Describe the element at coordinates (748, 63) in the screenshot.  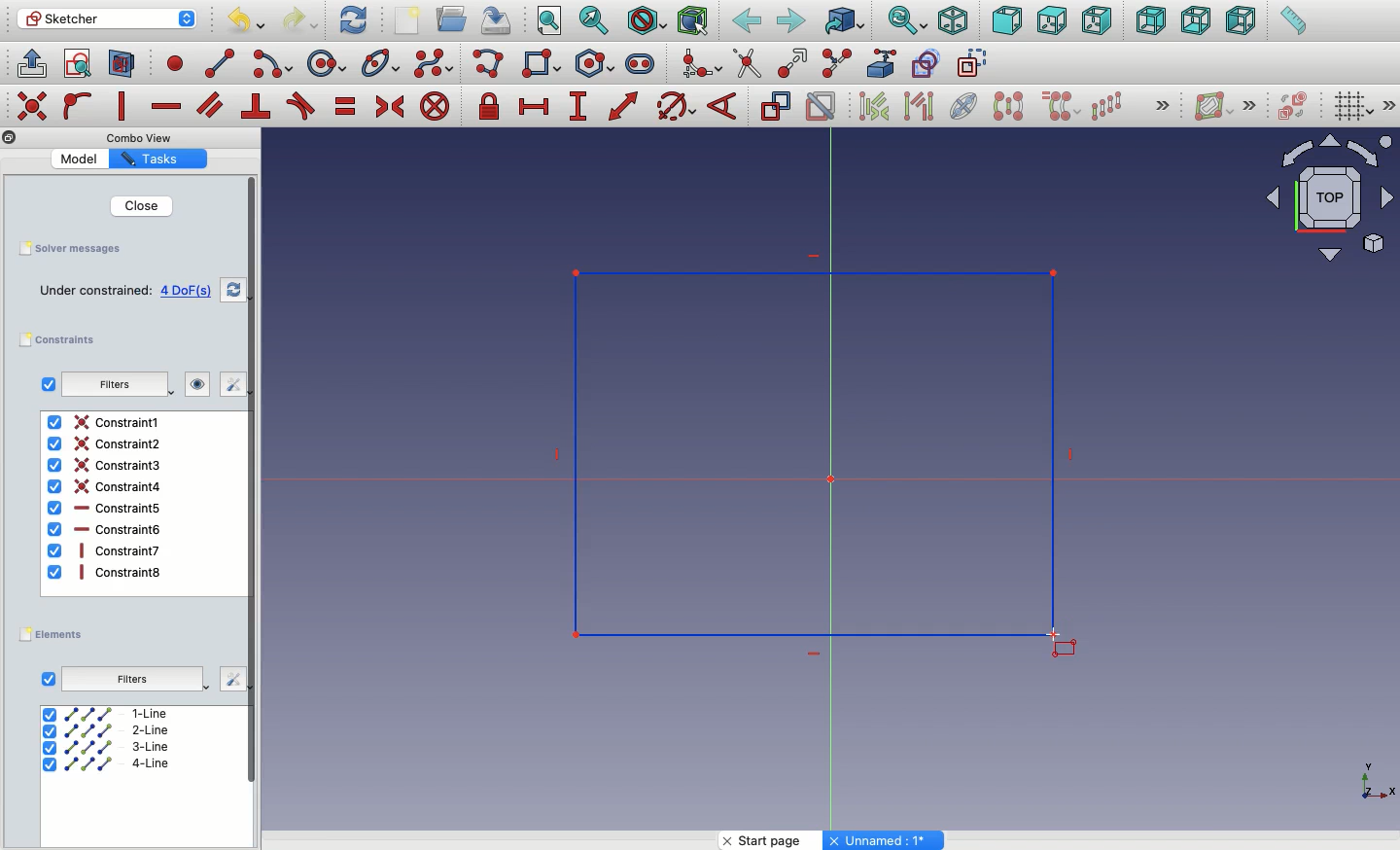
I see `Trim edge` at that location.